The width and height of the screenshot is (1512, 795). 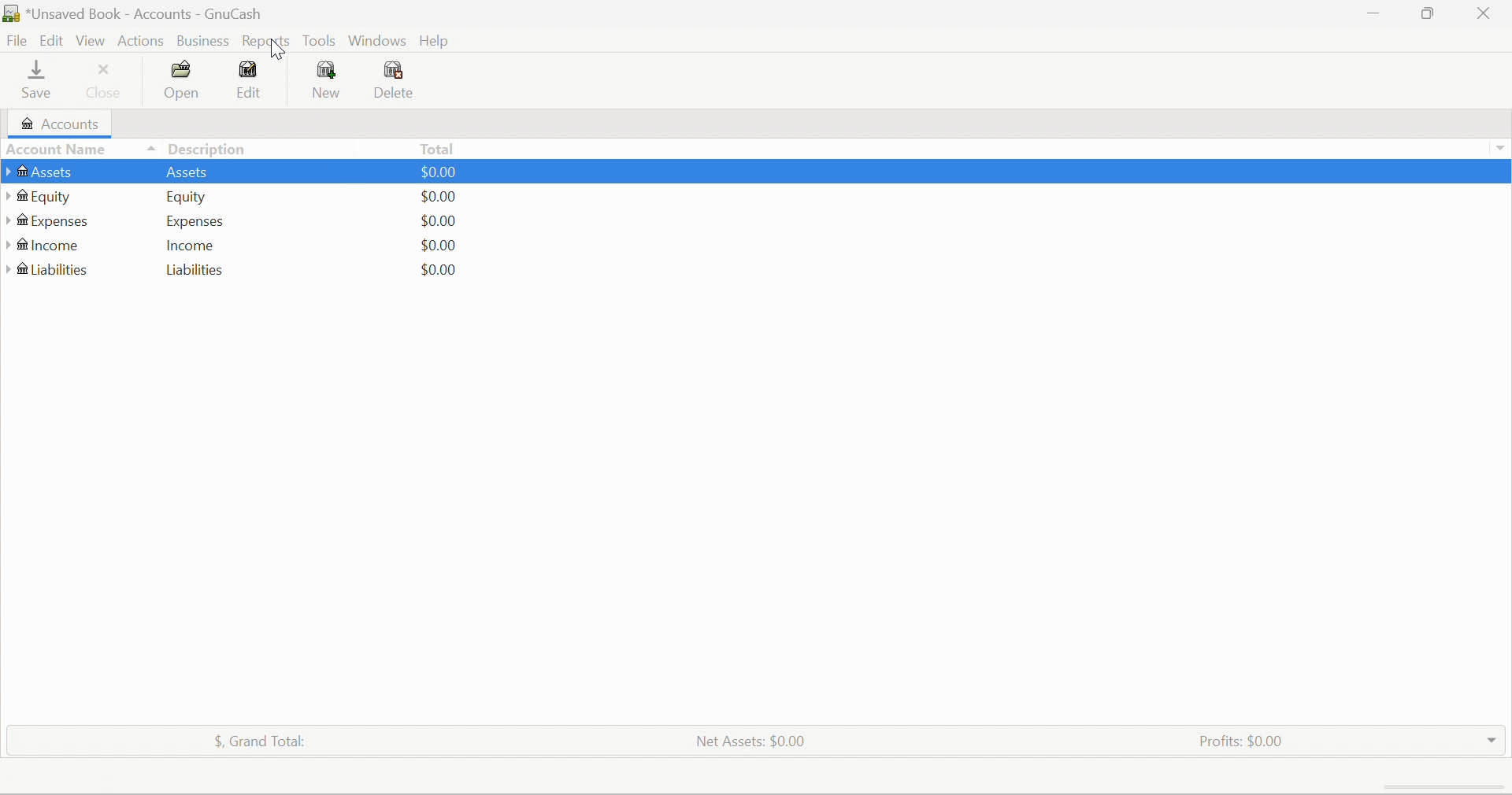 What do you see at coordinates (439, 39) in the screenshot?
I see `Help` at bounding box center [439, 39].